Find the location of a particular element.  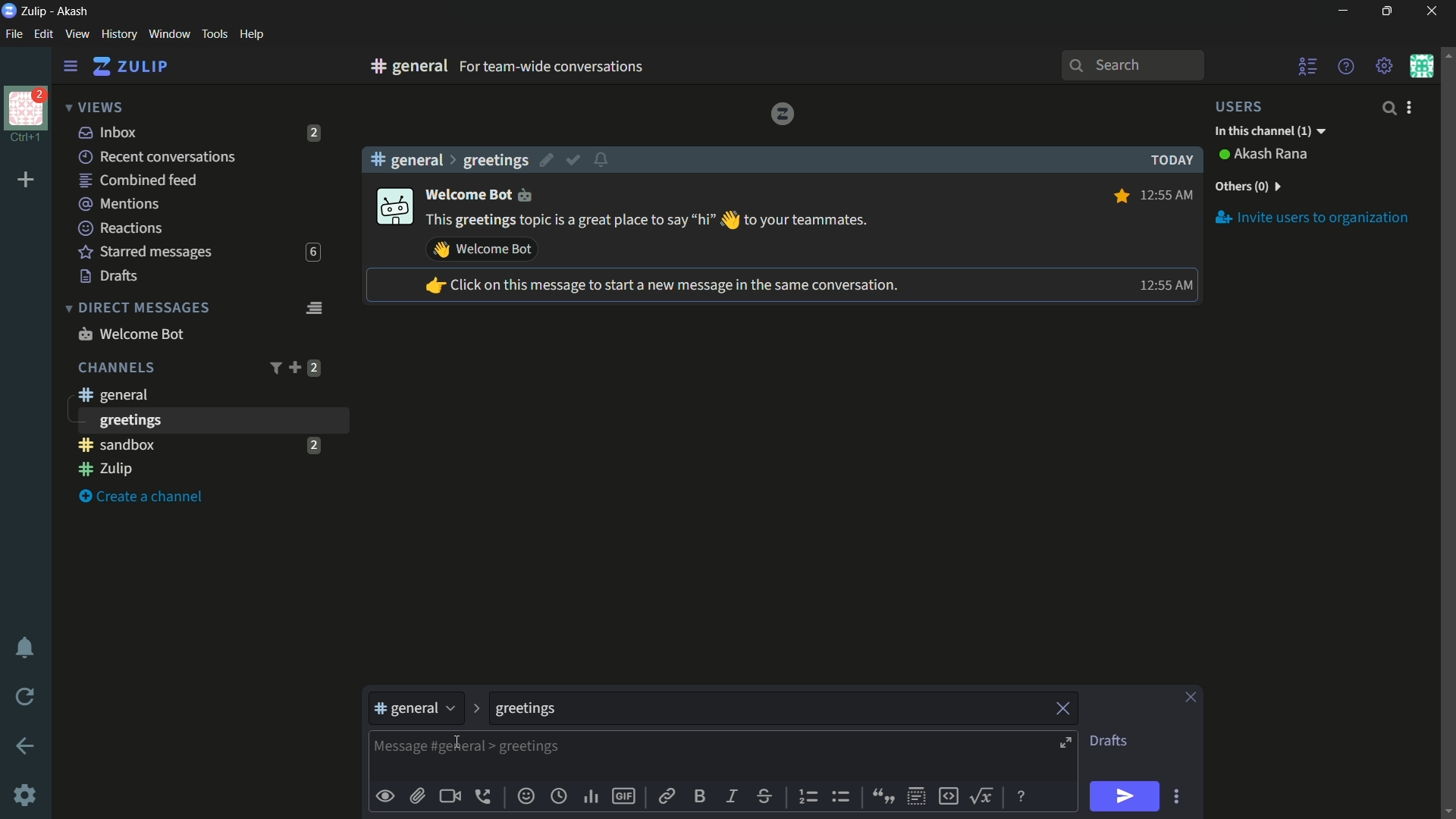

# general for team wide conversations is located at coordinates (578, 66).